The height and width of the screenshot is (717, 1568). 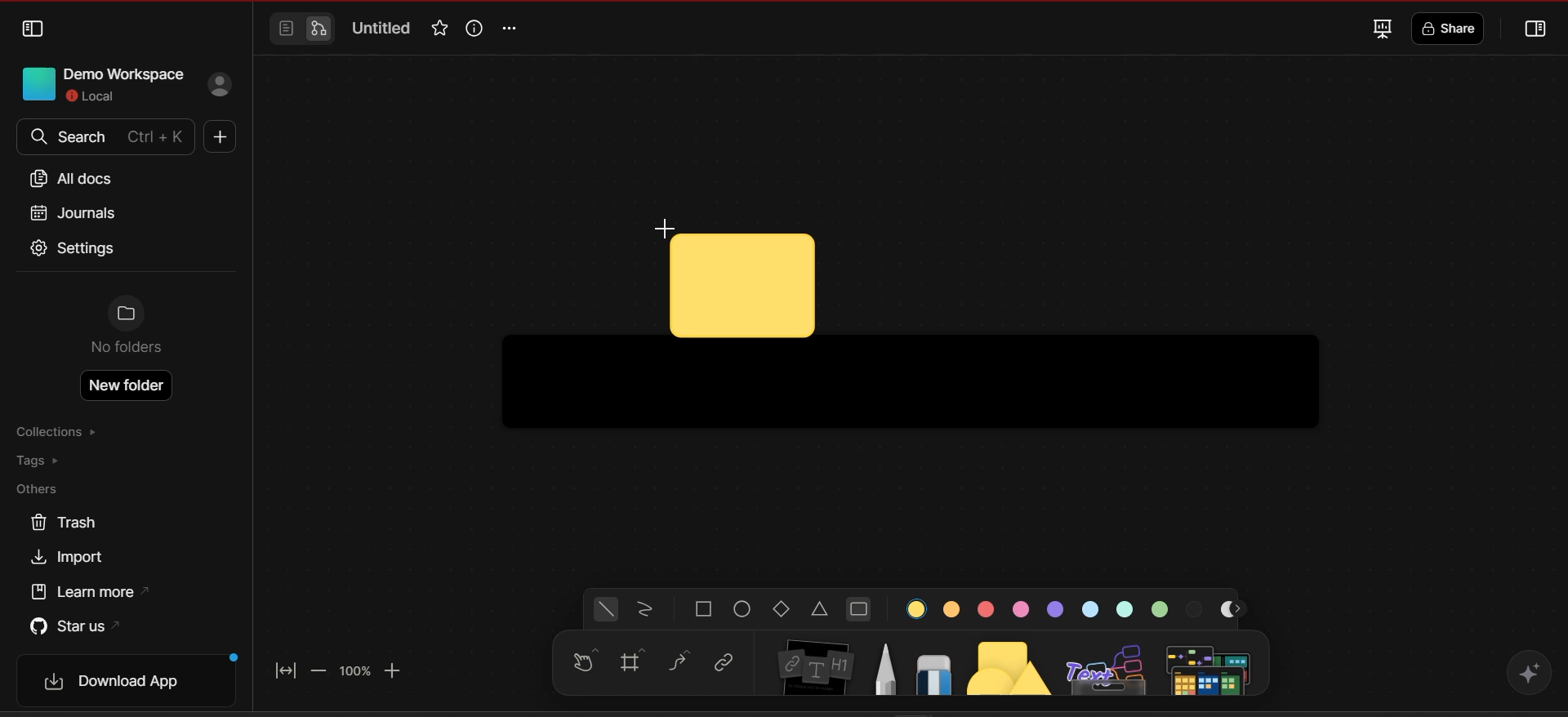 I want to click on link, so click(x=724, y=663).